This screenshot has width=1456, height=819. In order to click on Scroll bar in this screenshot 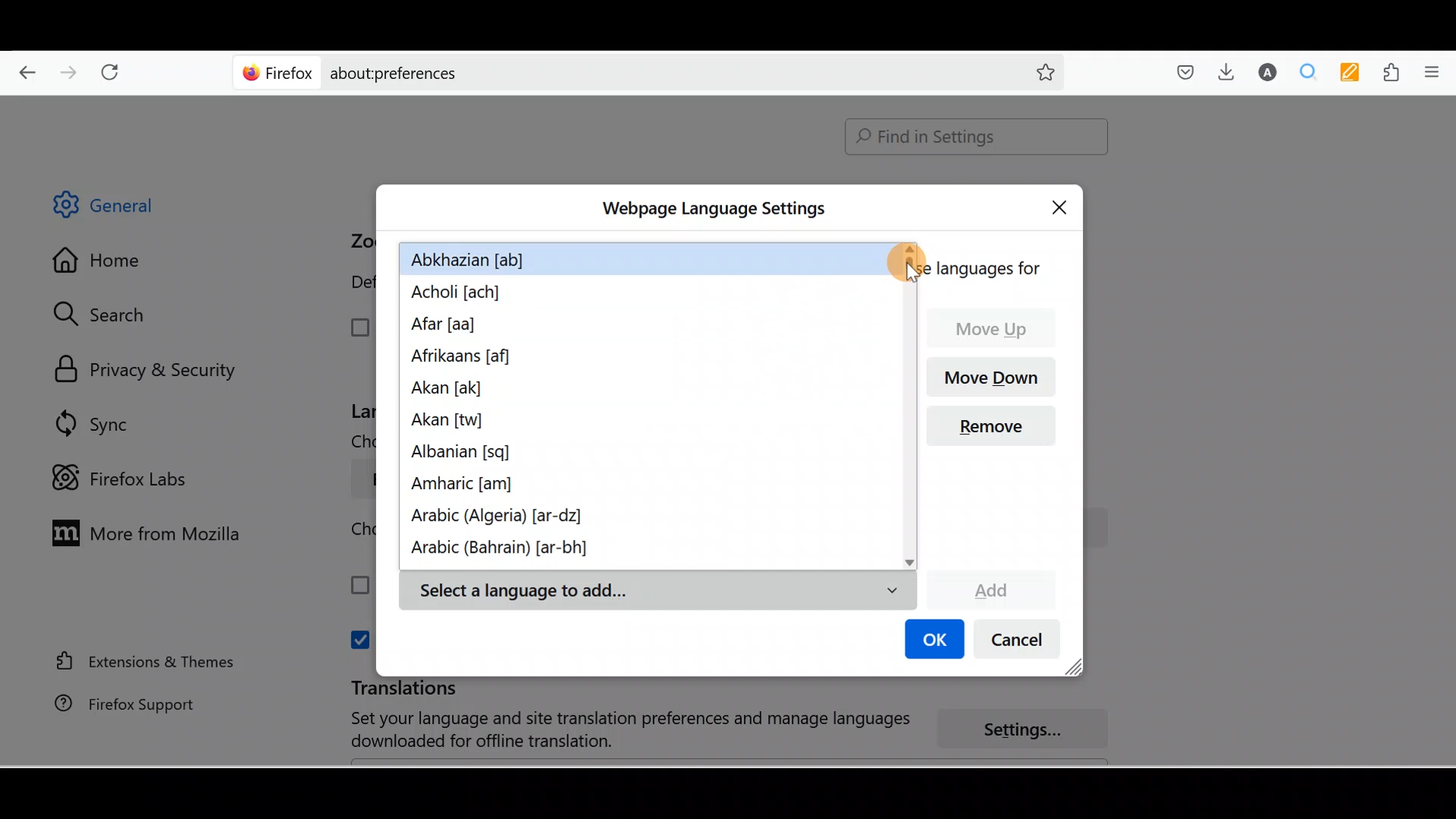, I will do `click(1445, 431)`.